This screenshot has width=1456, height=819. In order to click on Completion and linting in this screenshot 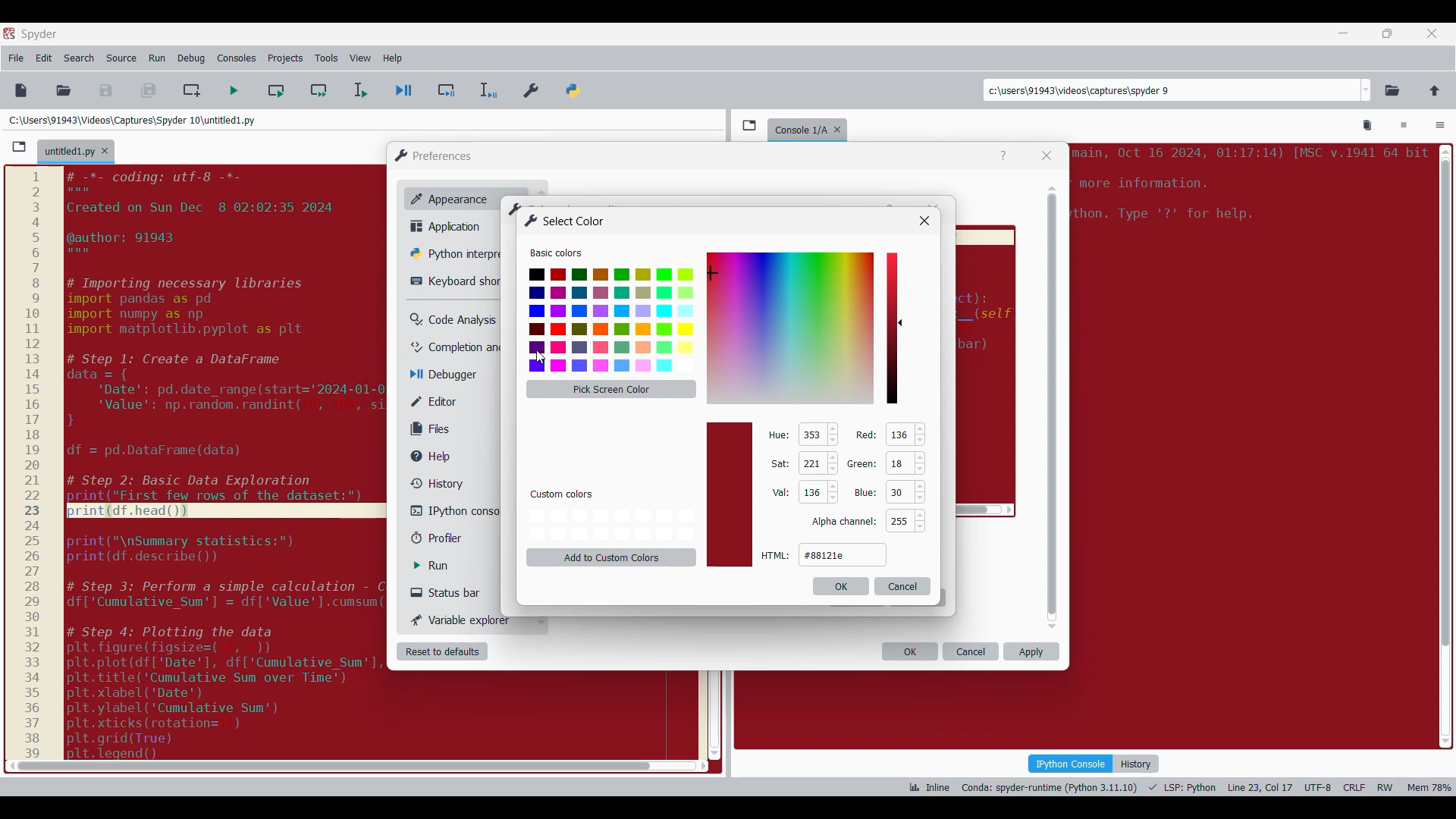, I will do `click(456, 347)`.